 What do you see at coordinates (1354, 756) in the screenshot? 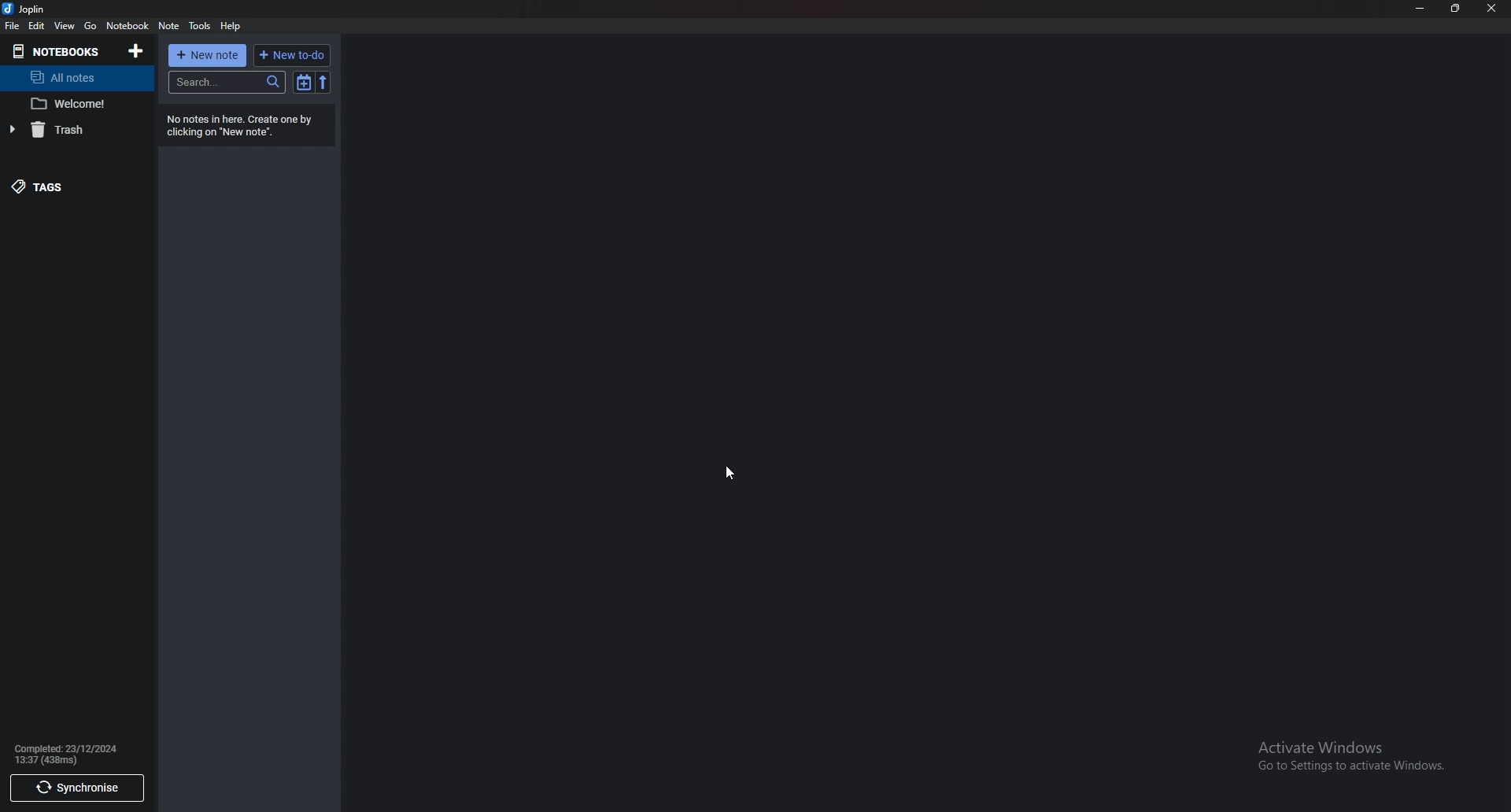
I see `Activate Windows
Go to Settings to activate Windows.` at bounding box center [1354, 756].